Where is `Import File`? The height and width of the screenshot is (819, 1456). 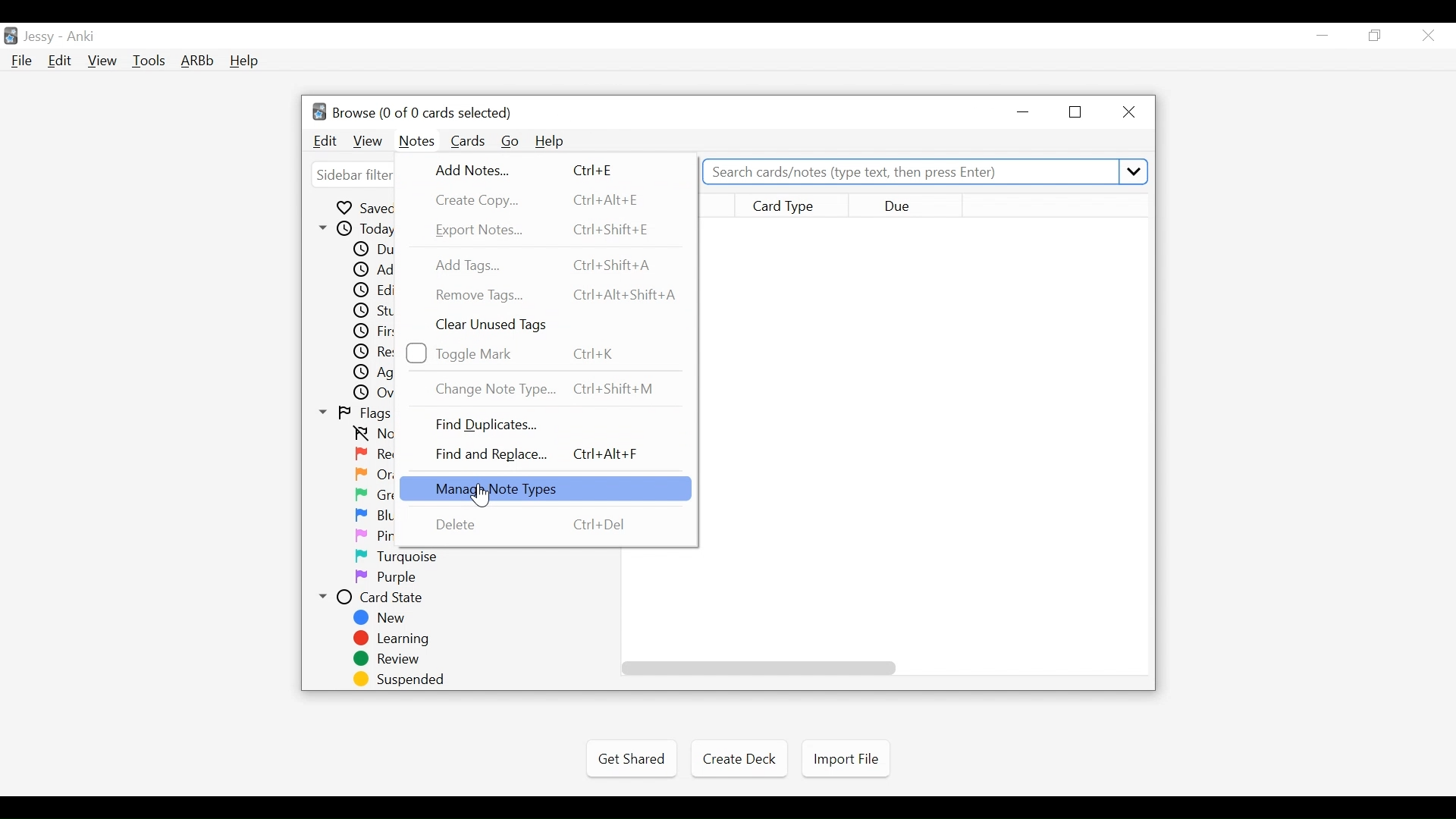 Import File is located at coordinates (846, 759).